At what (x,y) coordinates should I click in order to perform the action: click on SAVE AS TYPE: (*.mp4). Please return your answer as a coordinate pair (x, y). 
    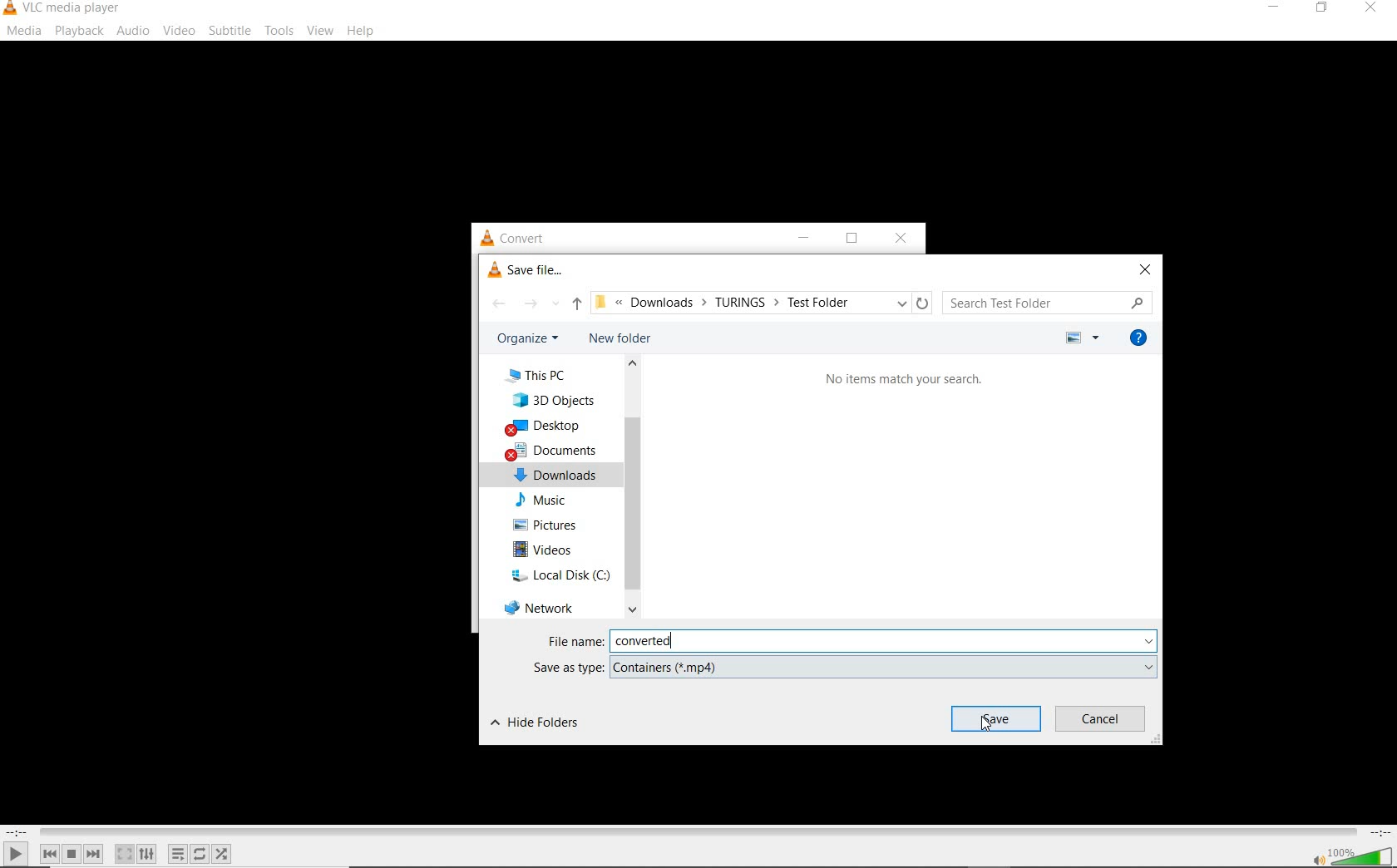
    Looking at the image, I should click on (842, 667).